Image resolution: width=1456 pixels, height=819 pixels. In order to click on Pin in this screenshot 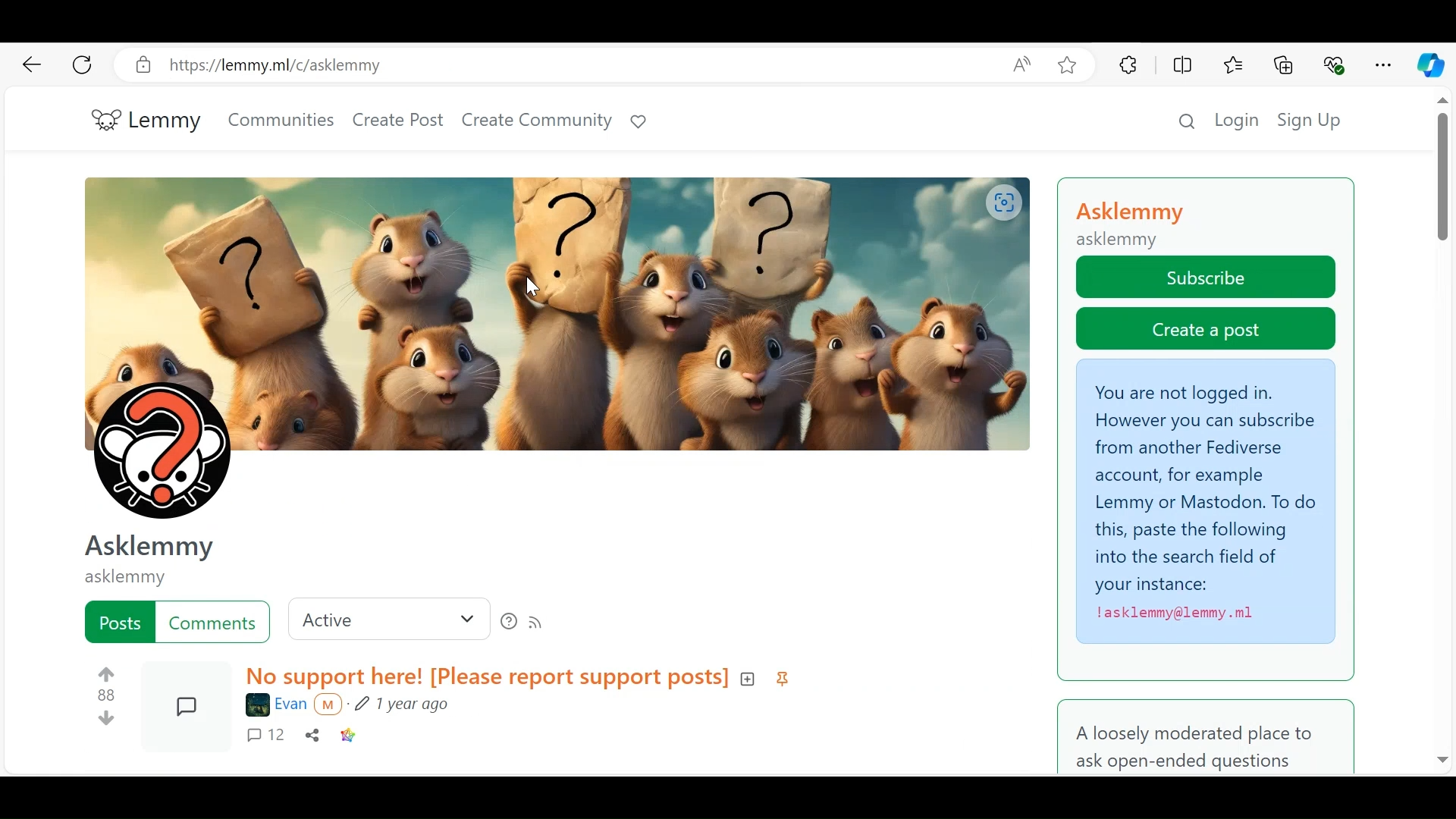, I will do `click(784, 681)`.